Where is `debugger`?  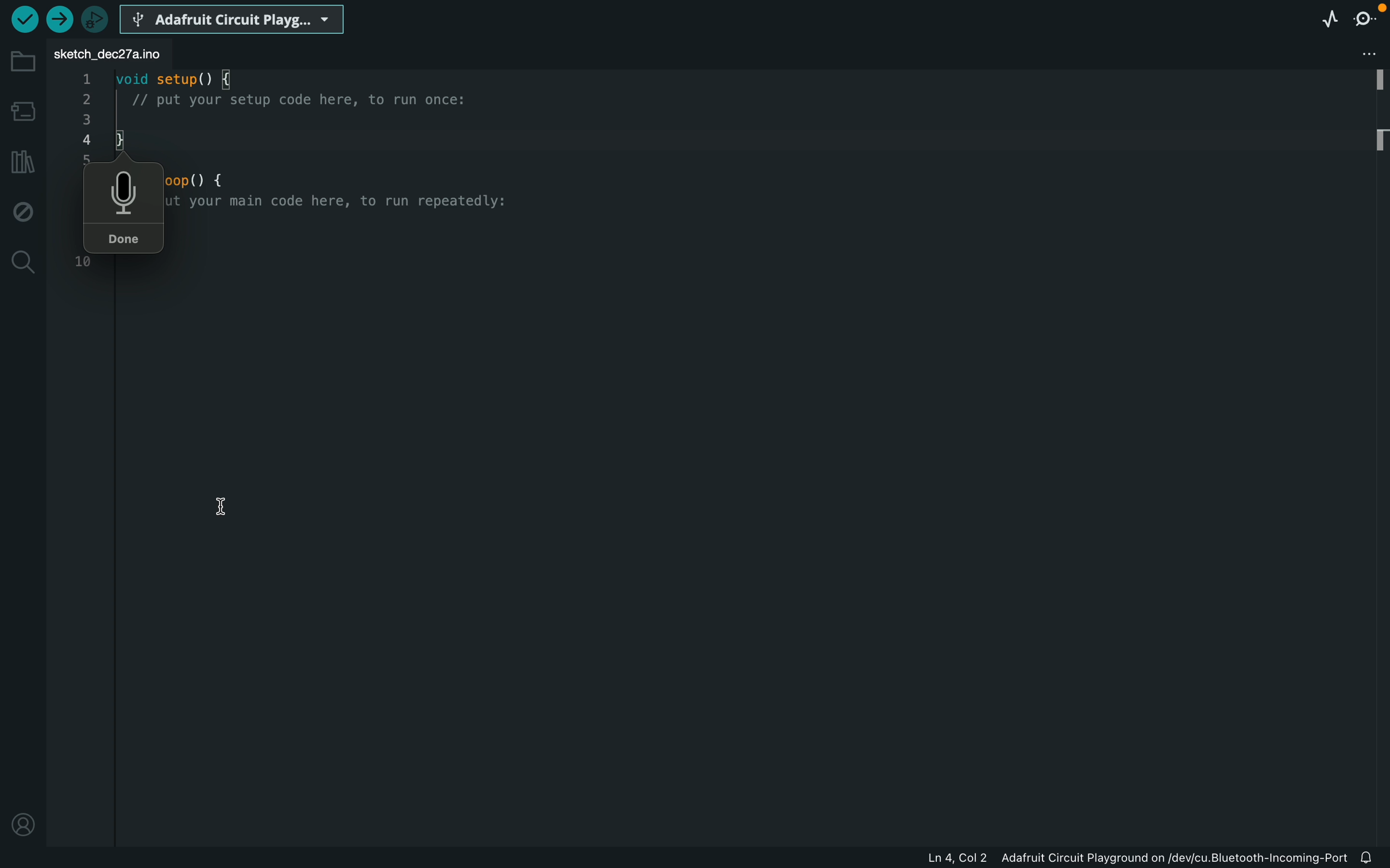 debugger is located at coordinates (99, 18).